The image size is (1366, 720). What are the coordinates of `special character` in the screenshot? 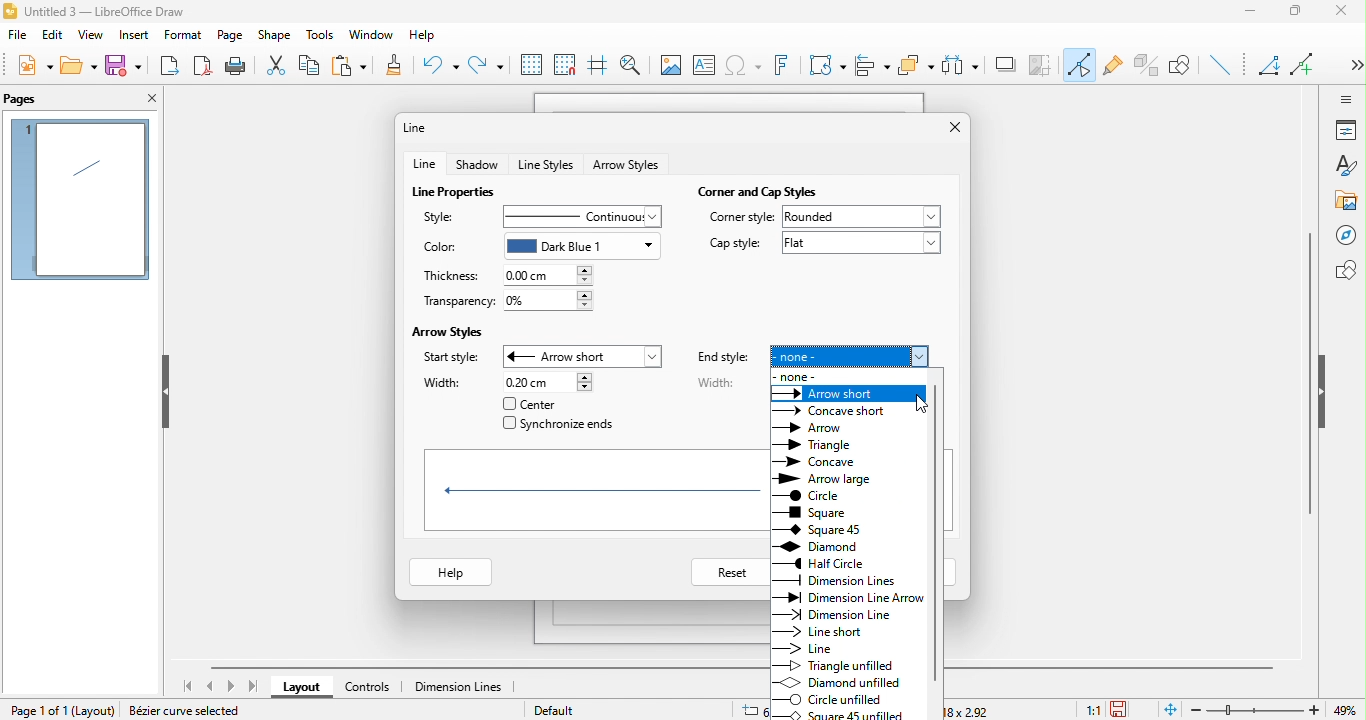 It's located at (746, 67).